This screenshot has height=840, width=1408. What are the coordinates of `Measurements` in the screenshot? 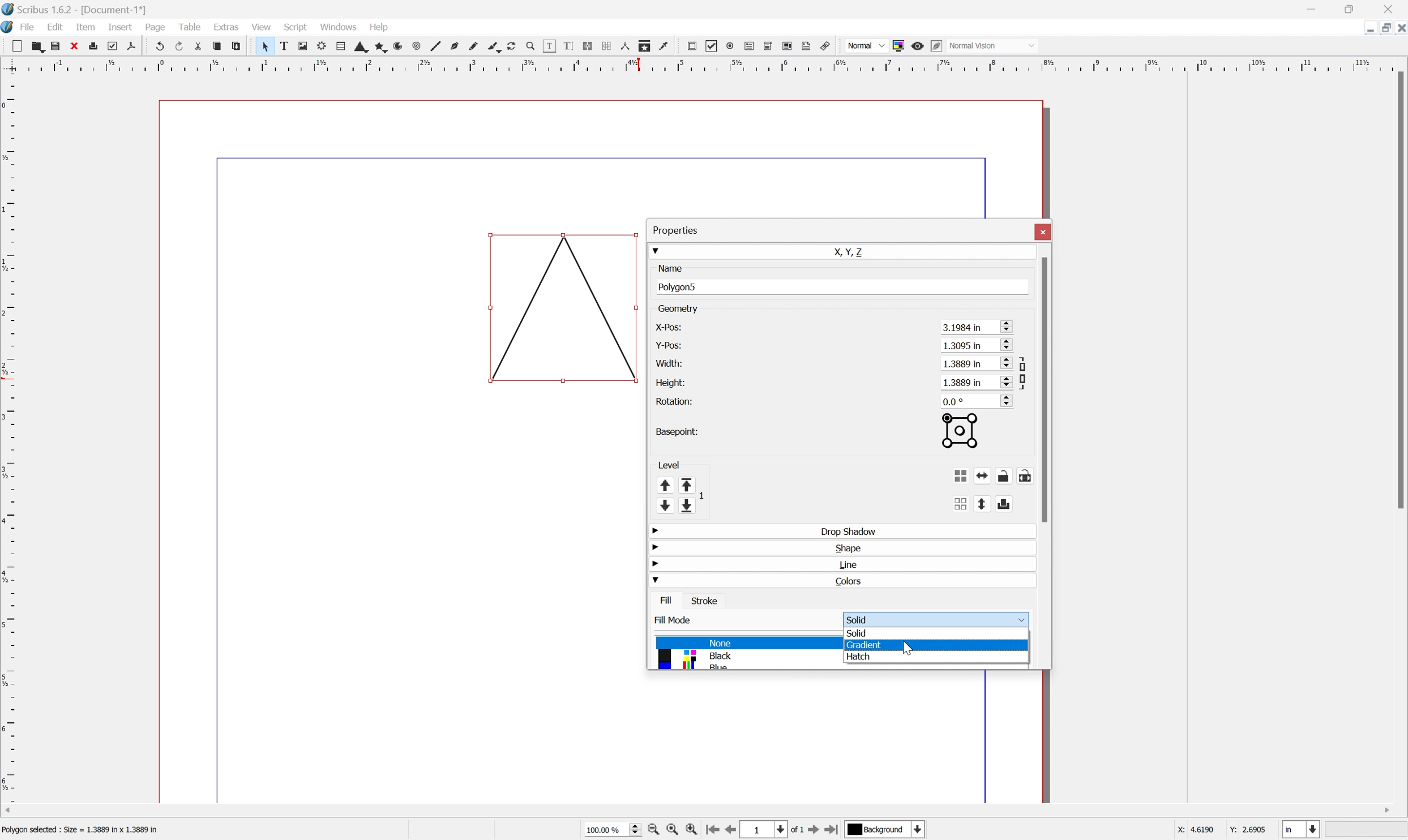 It's located at (625, 47).